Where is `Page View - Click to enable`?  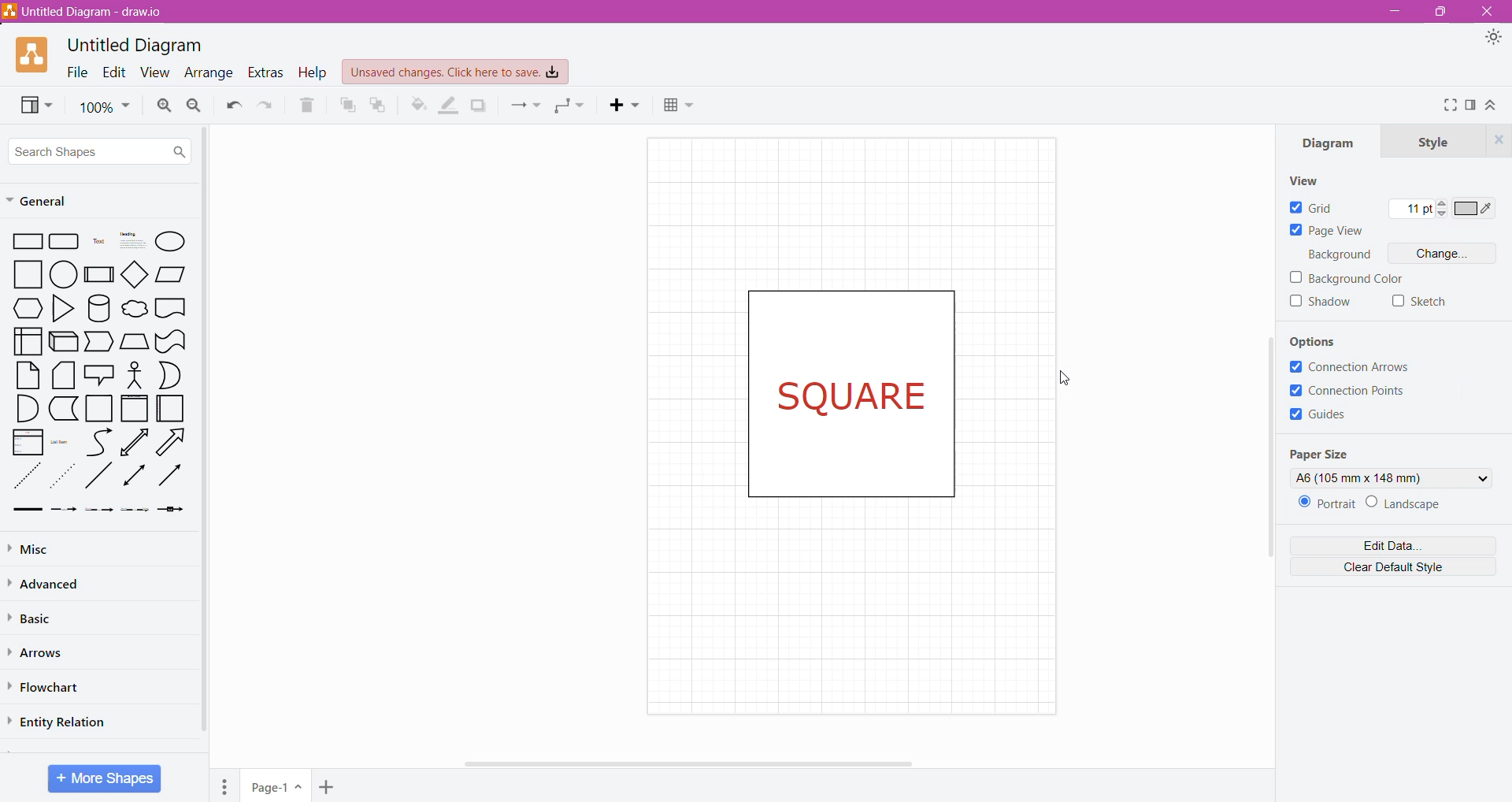
Page View - Click to enable is located at coordinates (1329, 231).